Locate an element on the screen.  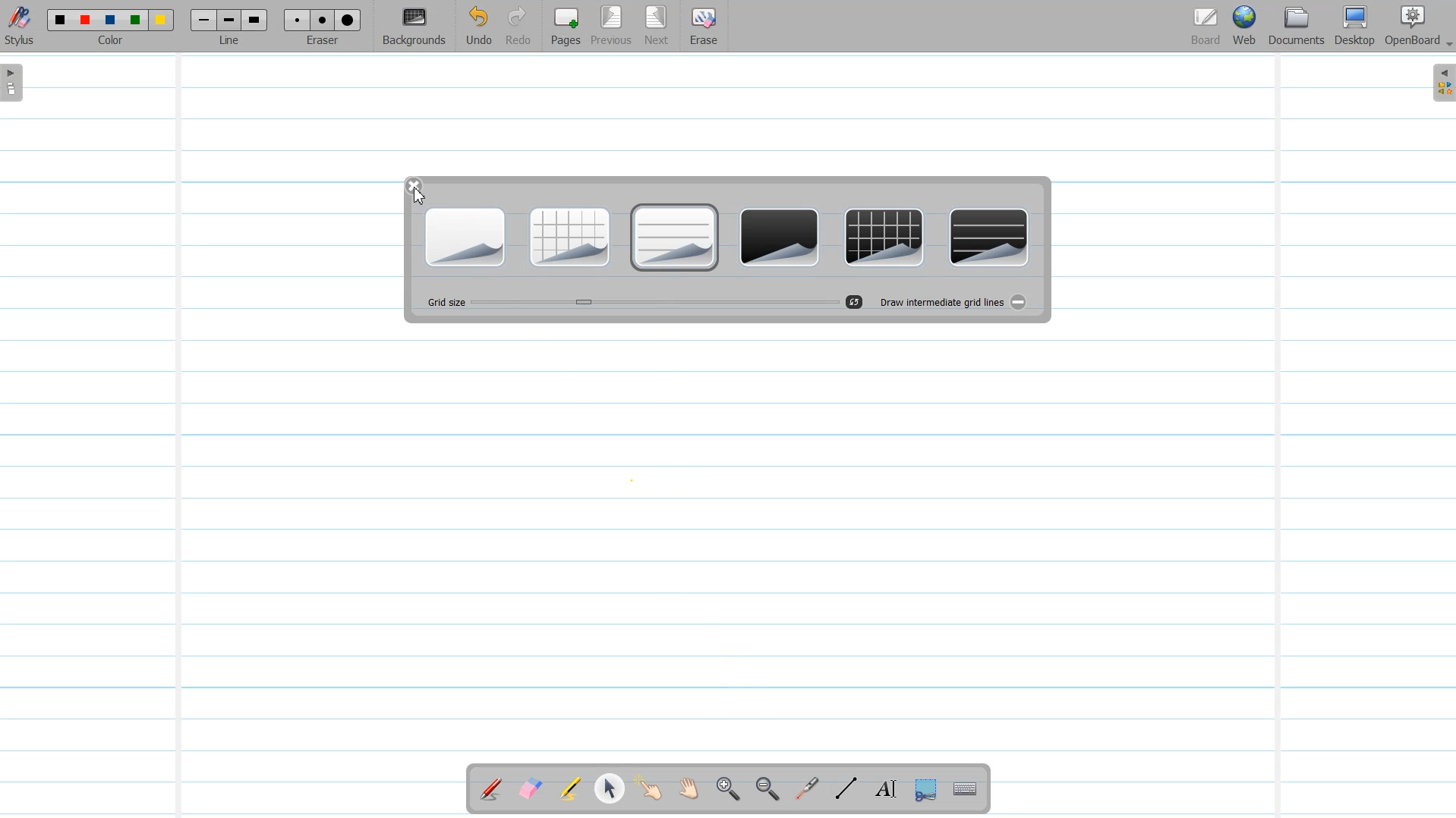
Desktop is located at coordinates (1354, 27).